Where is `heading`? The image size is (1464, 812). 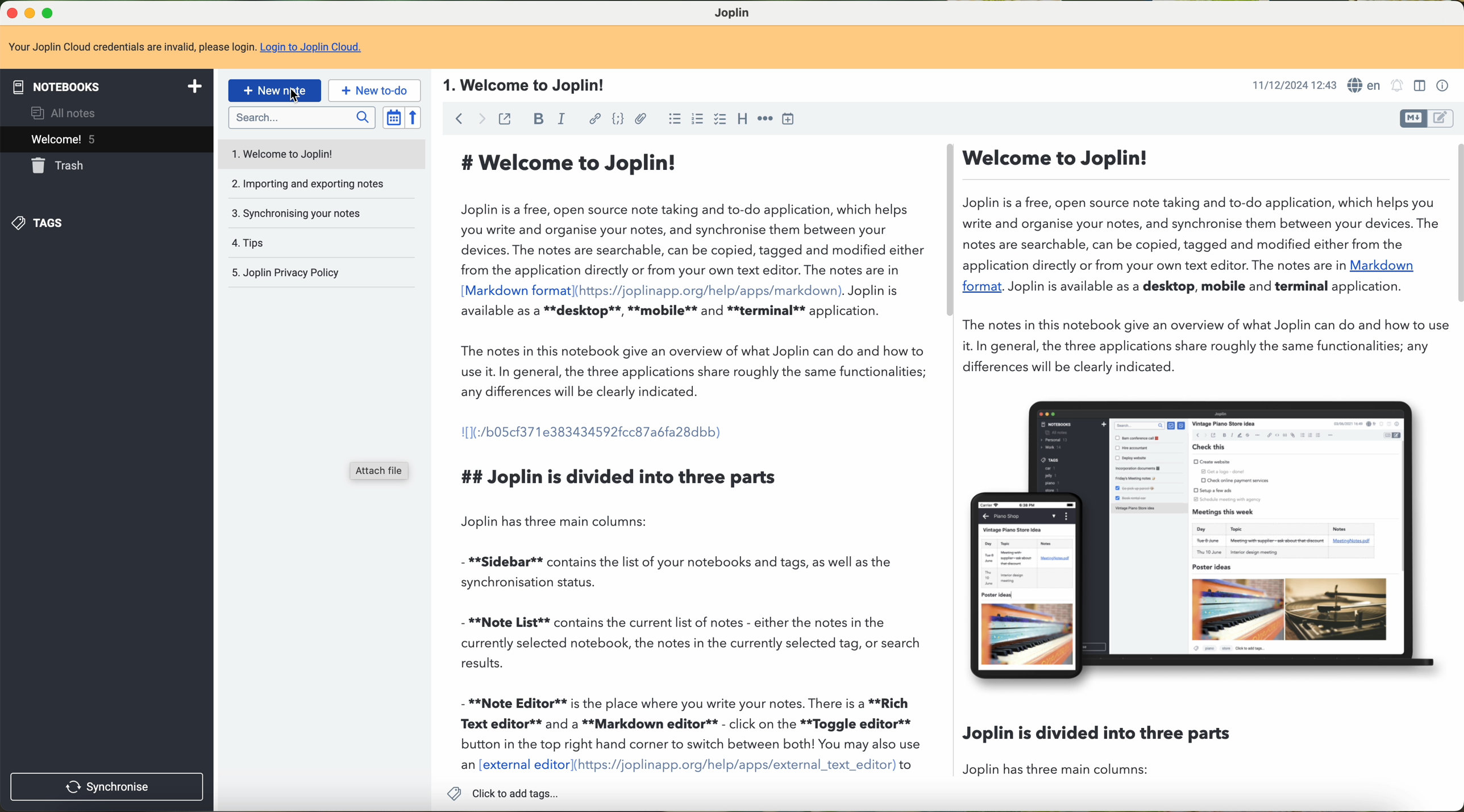
heading is located at coordinates (743, 120).